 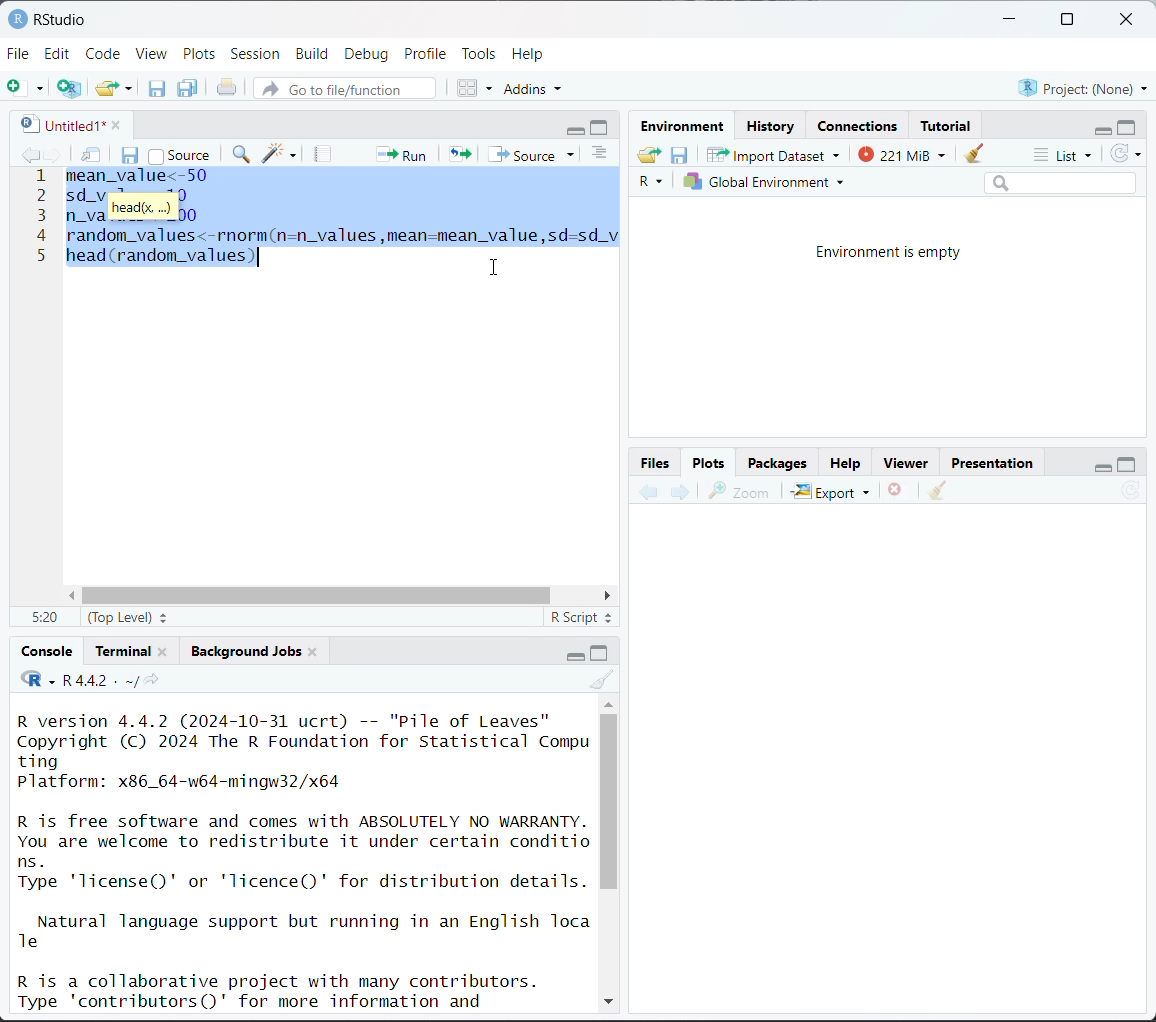 I want to click on meanvalue<-50, so click(x=141, y=177).